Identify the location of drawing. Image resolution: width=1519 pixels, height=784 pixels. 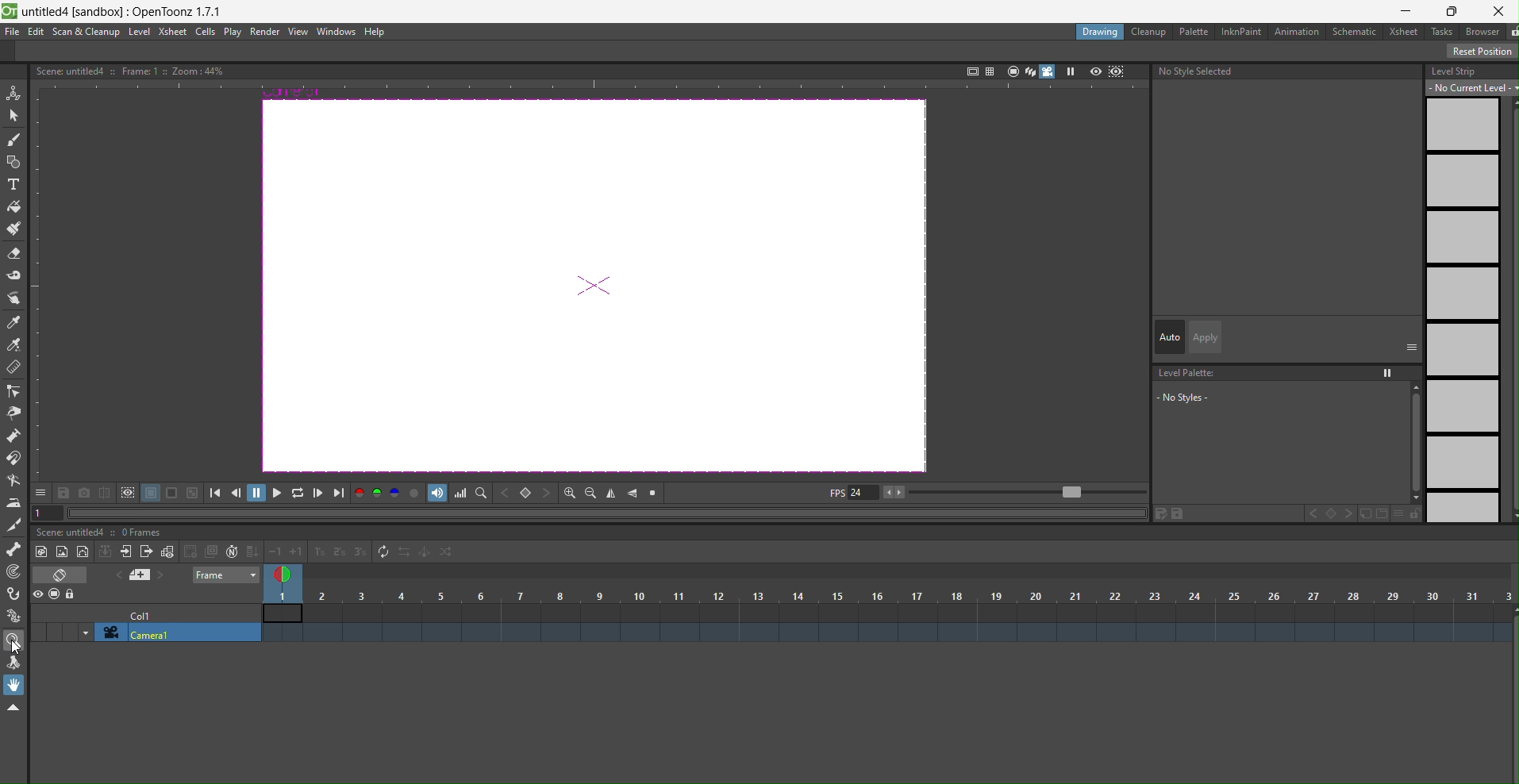
(1101, 31).